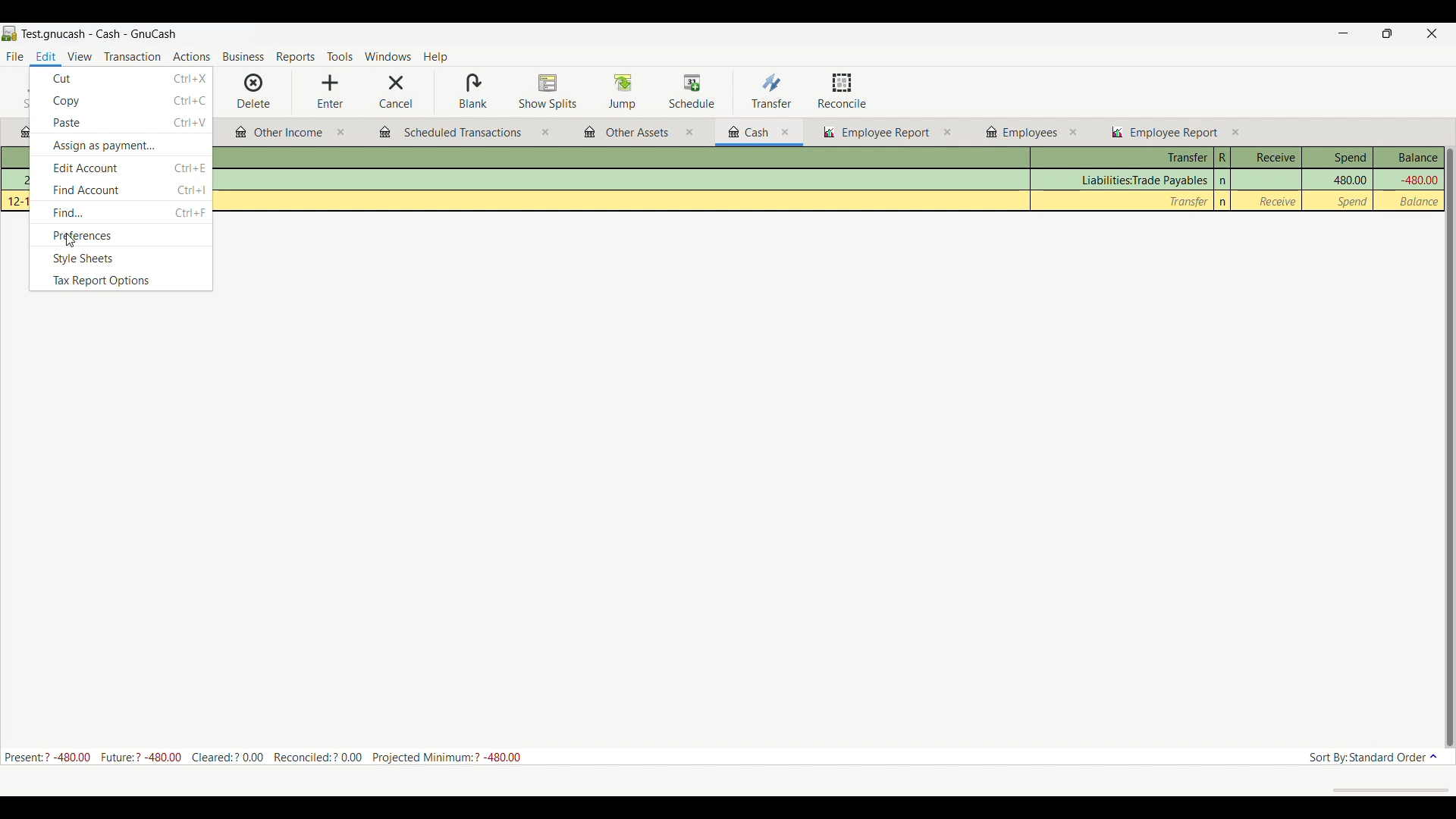 The image size is (1456, 819). What do you see at coordinates (1164, 133) in the screenshot?
I see `Other budgets and reports` at bounding box center [1164, 133].